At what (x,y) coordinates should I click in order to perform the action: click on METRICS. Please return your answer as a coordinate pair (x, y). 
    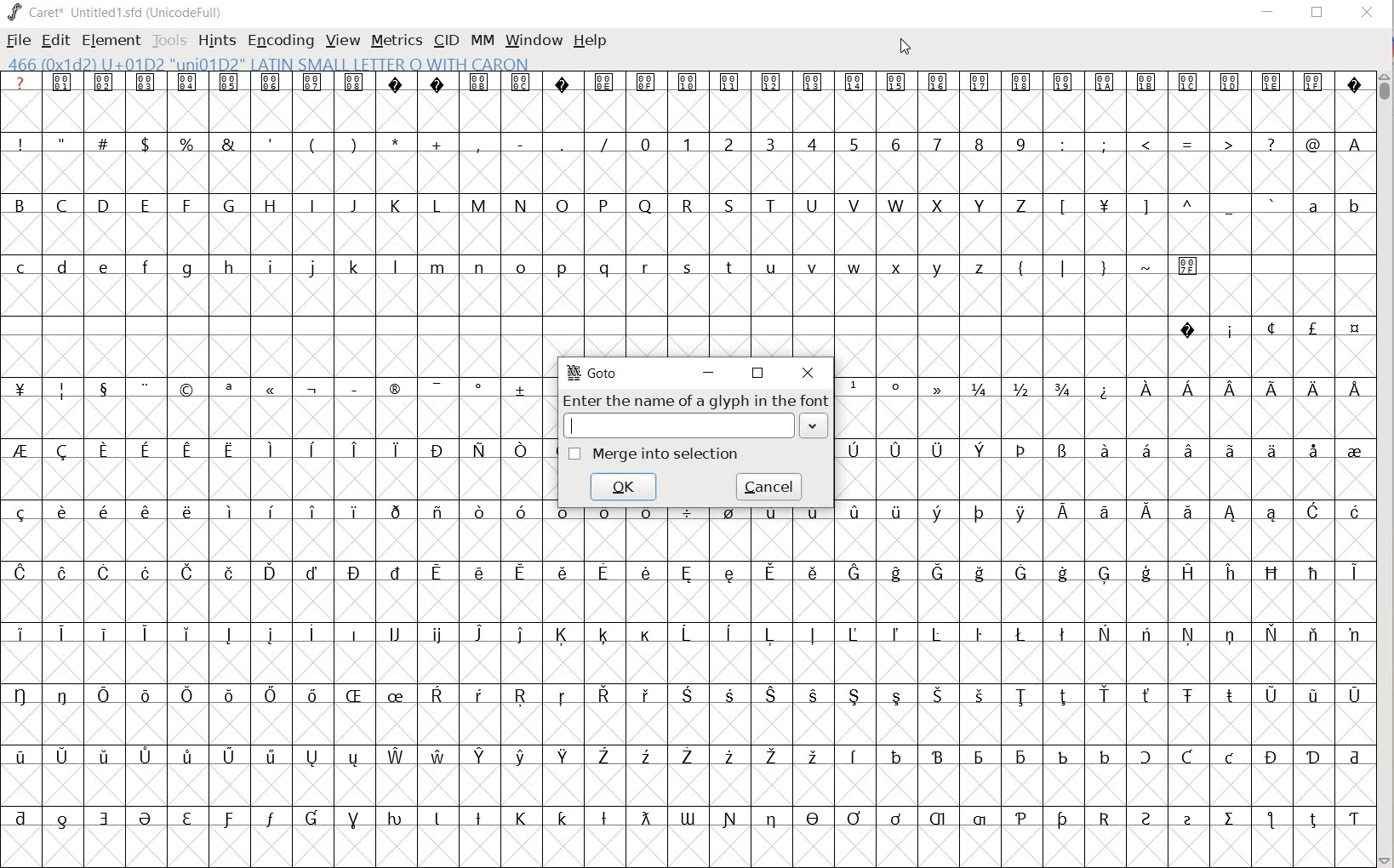
    Looking at the image, I should click on (397, 41).